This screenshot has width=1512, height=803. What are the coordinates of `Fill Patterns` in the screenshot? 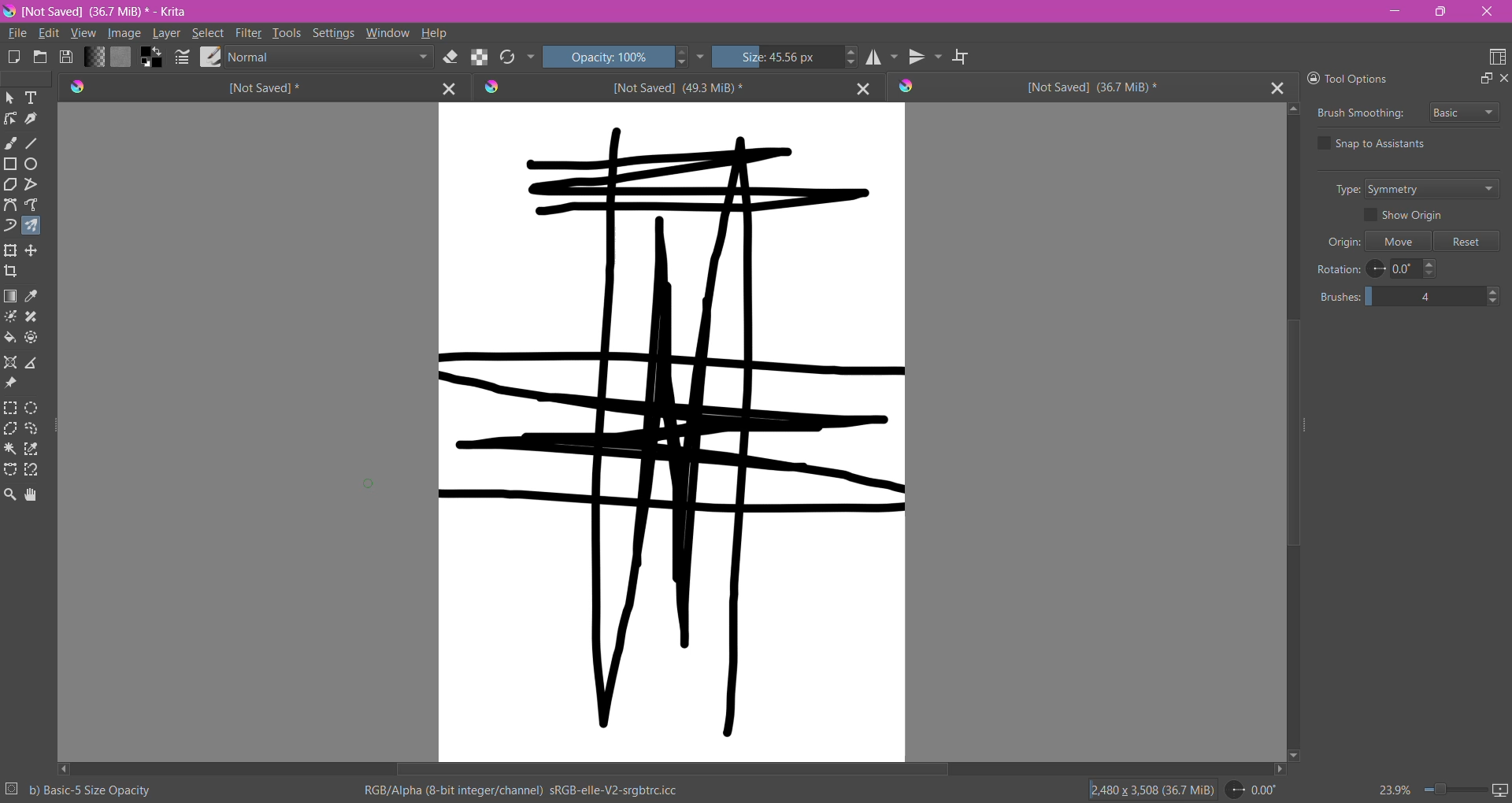 It's located at (122, 57).